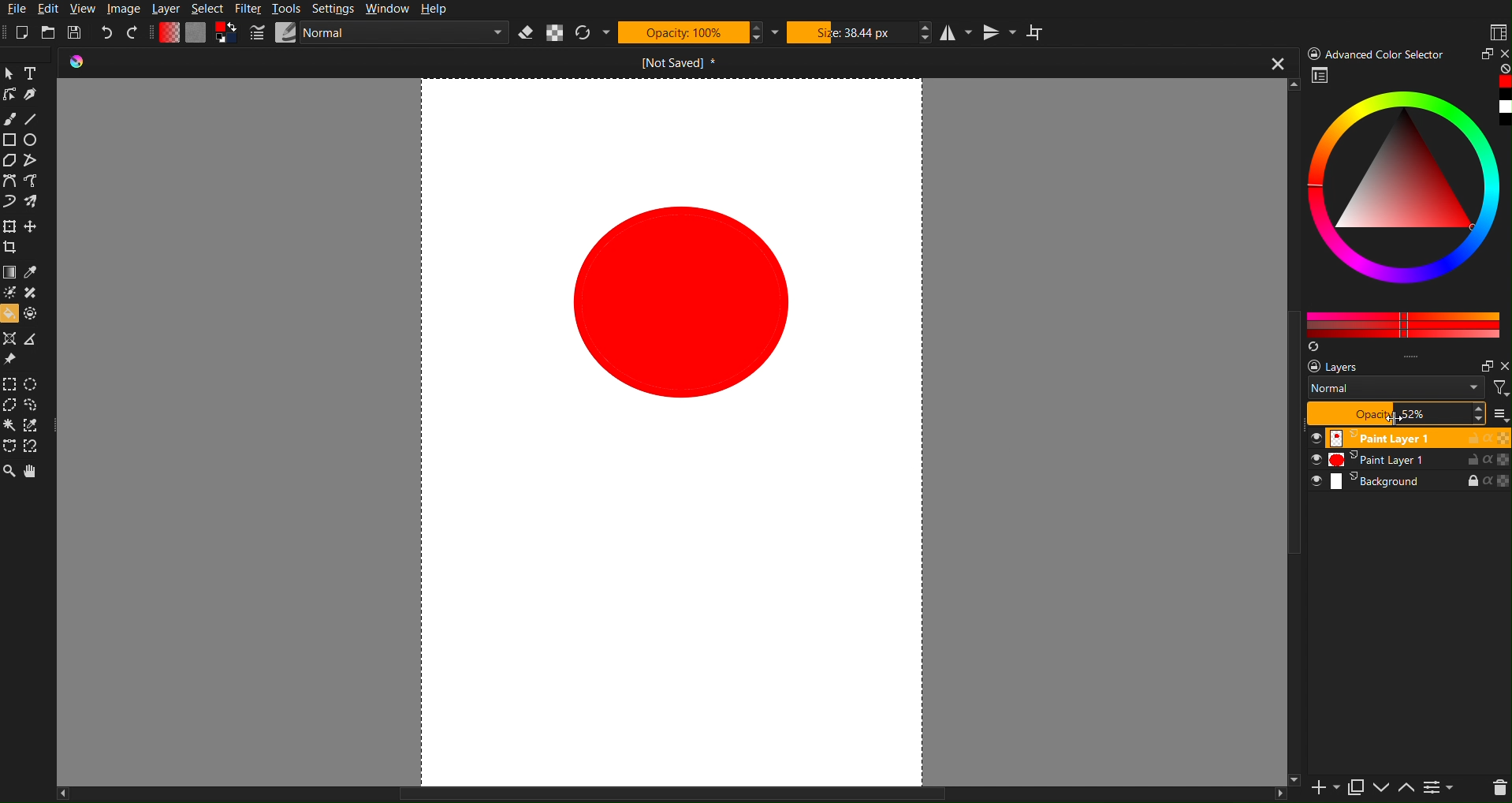 The image size is (1512, 803). Describe the element at coordinates (1279, 67) in the screenshot. I see `close` at that location.